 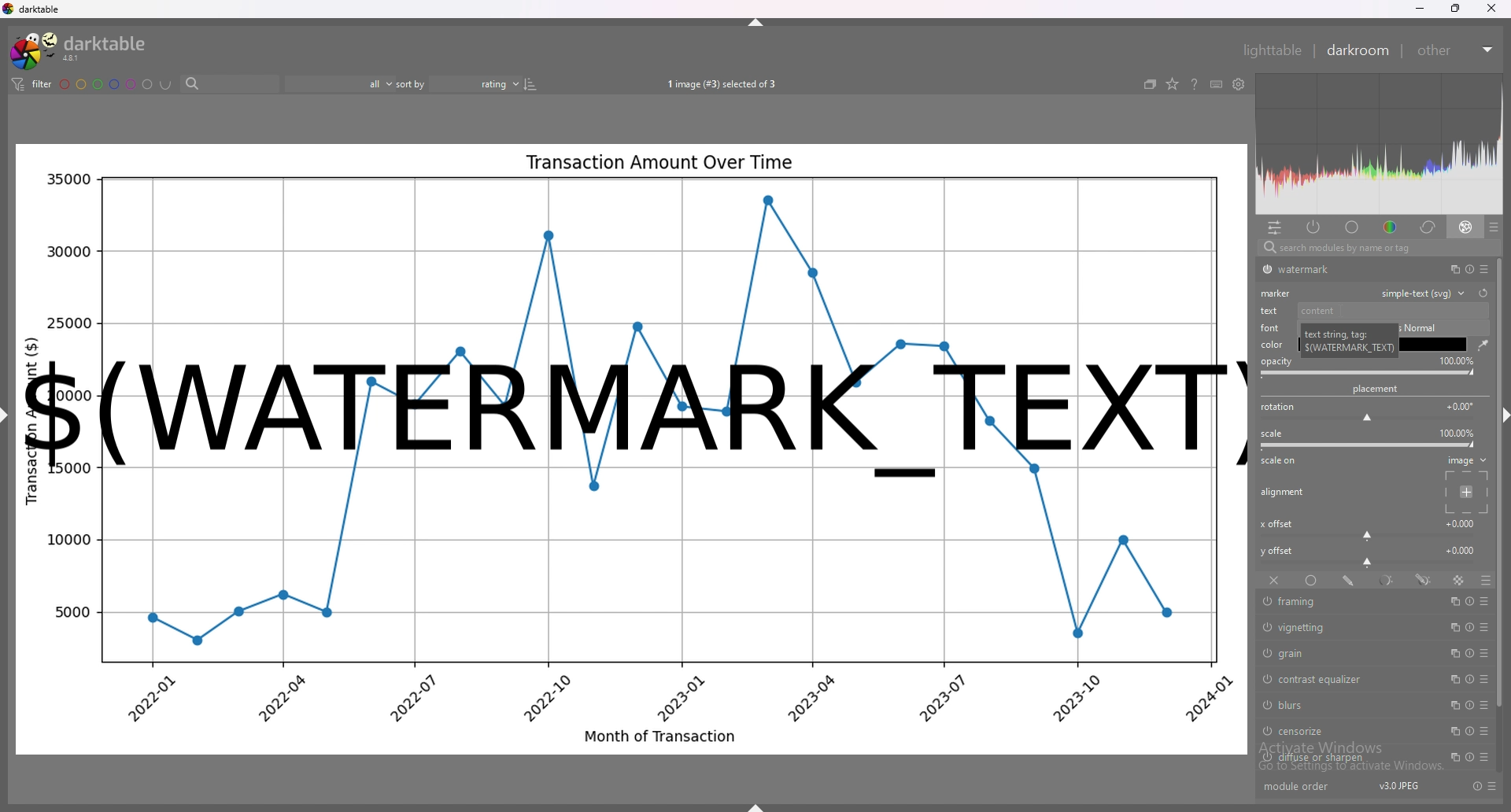 I want to click on marker, so click(x=1276, y=293).